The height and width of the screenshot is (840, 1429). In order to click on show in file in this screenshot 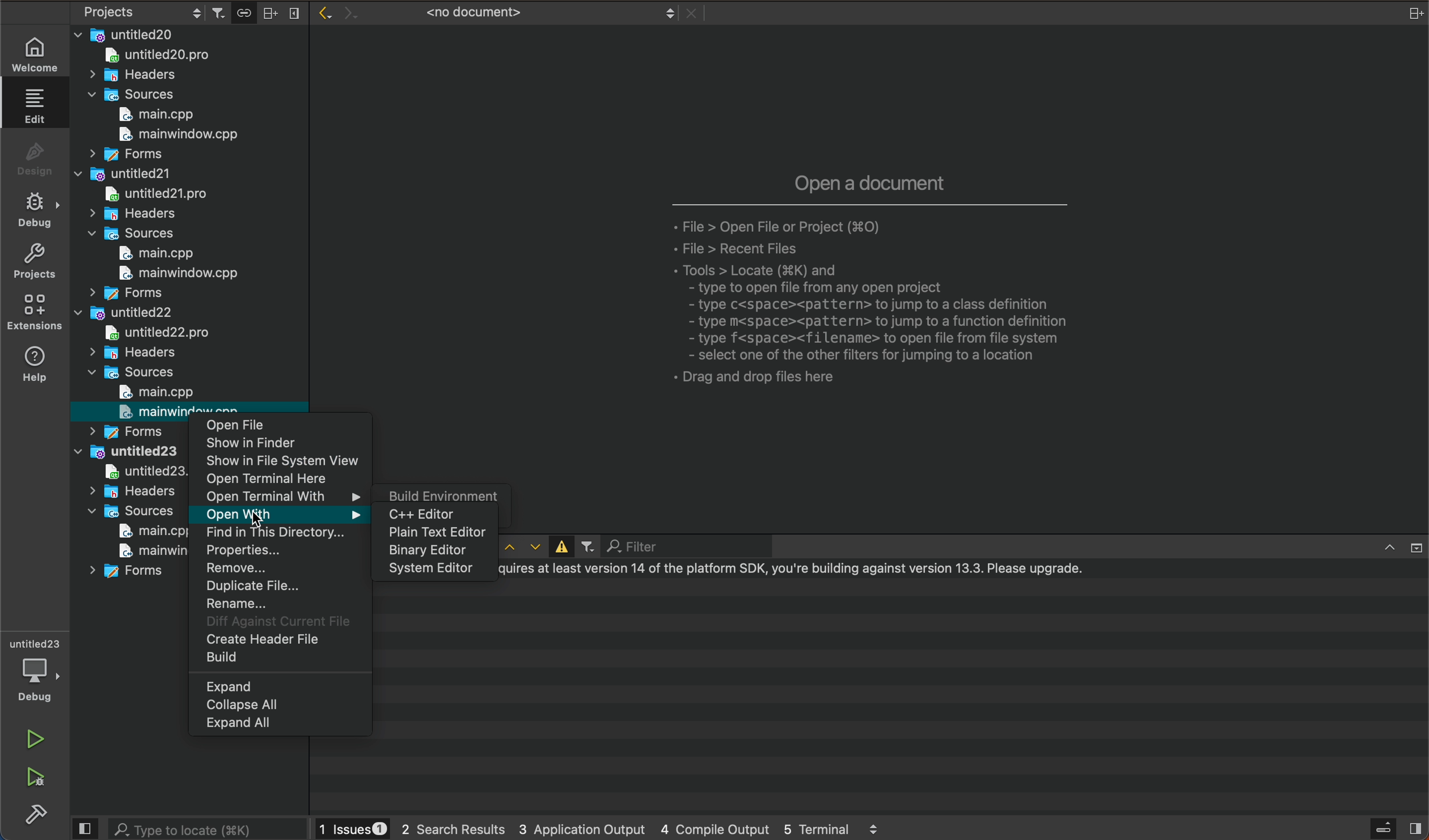, I will do `click(285, 461)`.